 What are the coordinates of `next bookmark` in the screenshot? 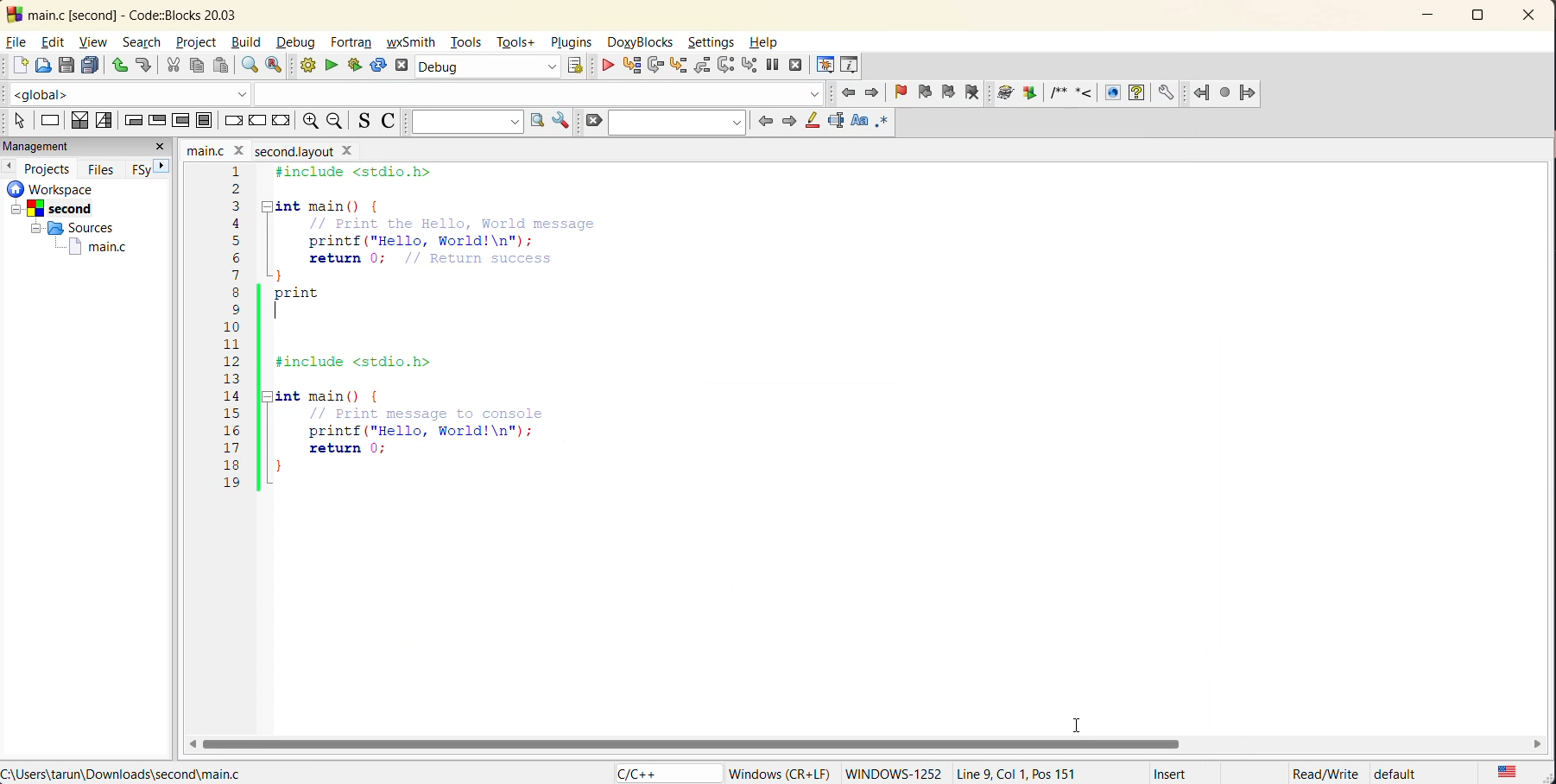 It's located at (945, 92).